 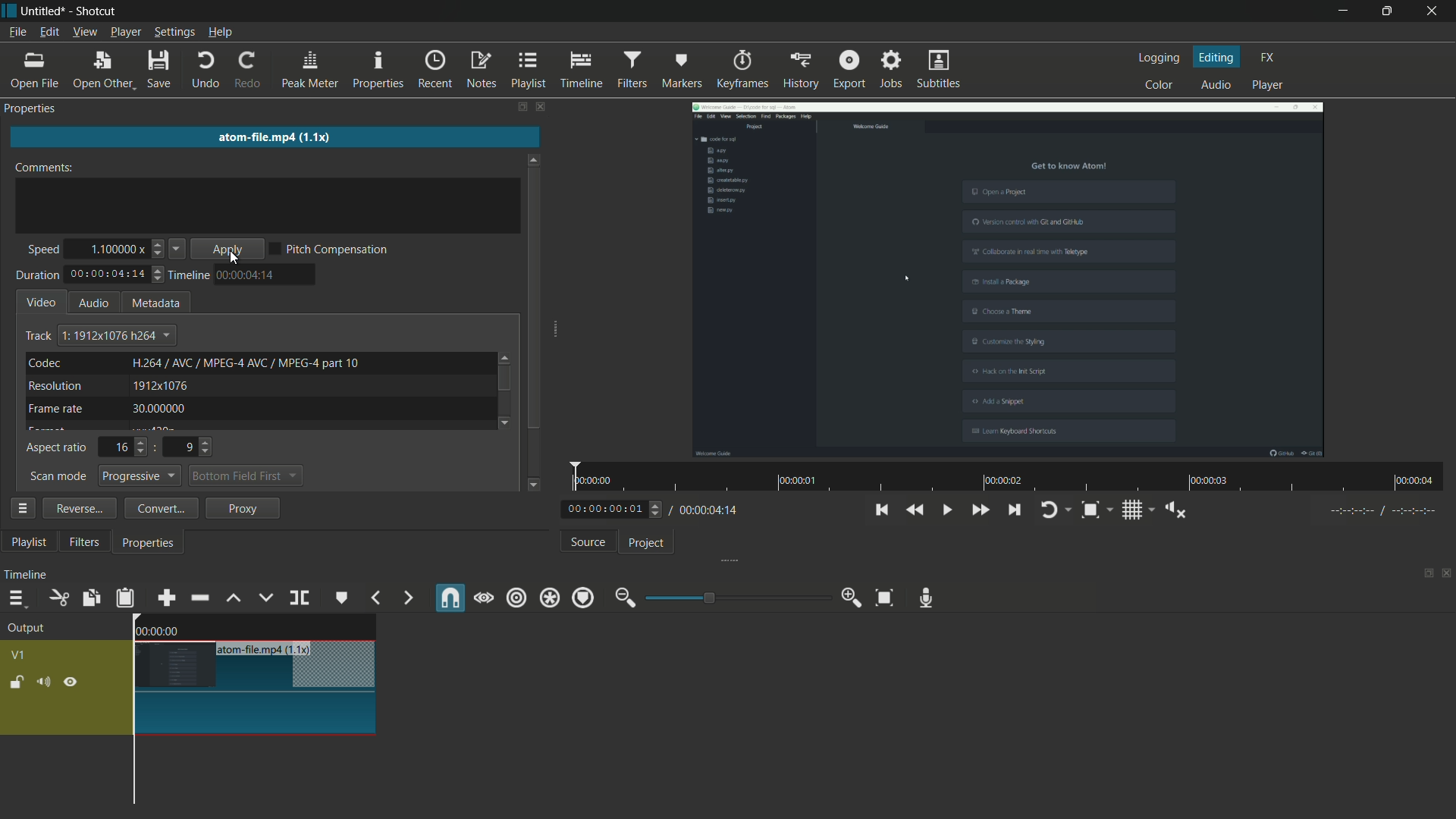 What do you see at coordinates (1384, 11) in the screenshot?
I see `maximize` at bounding box center [1384, 11].